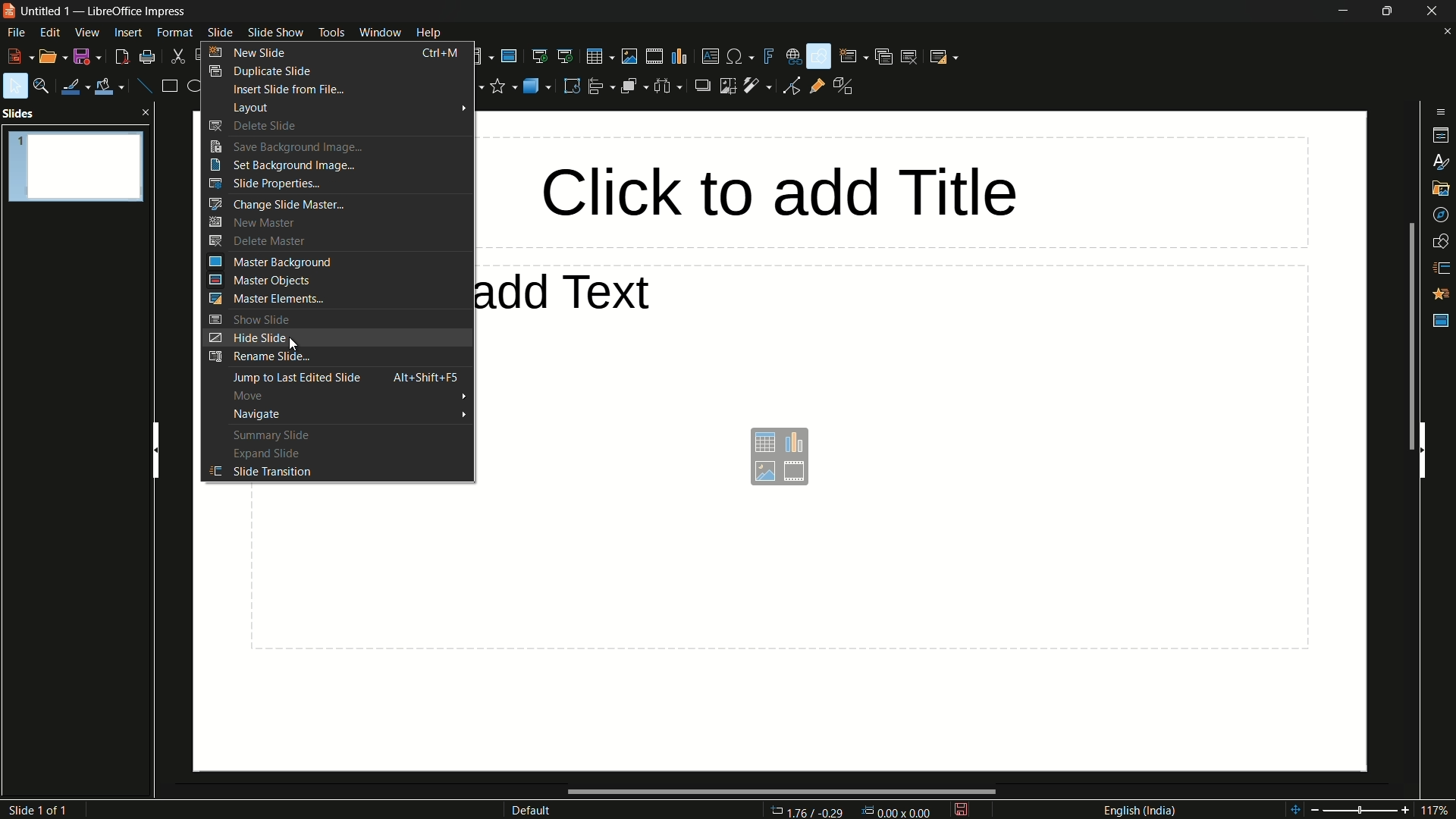 The image size is (1456, 819). Describe the element at coordinates (246, 338) in the screenshot. I see `hide slide` at that location.